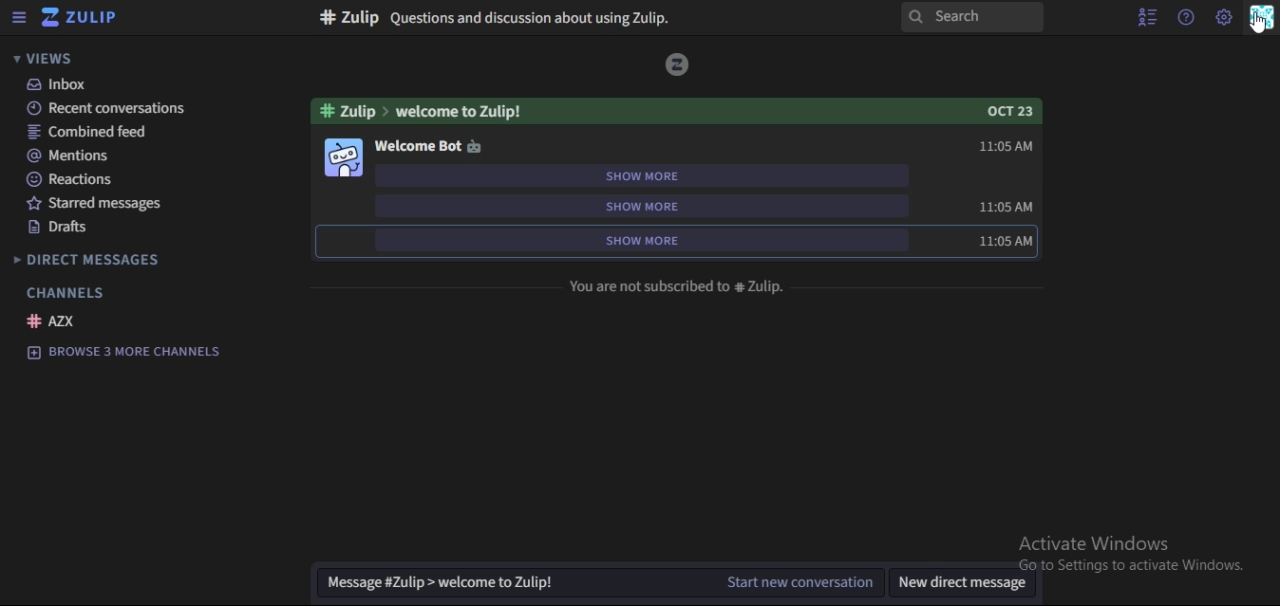 The width and height of the screenshot is (1280, 606). What do you see at coordinates (1261, 28) in the screenshot?
I see `cursor` at bounding box center [1261, 28].